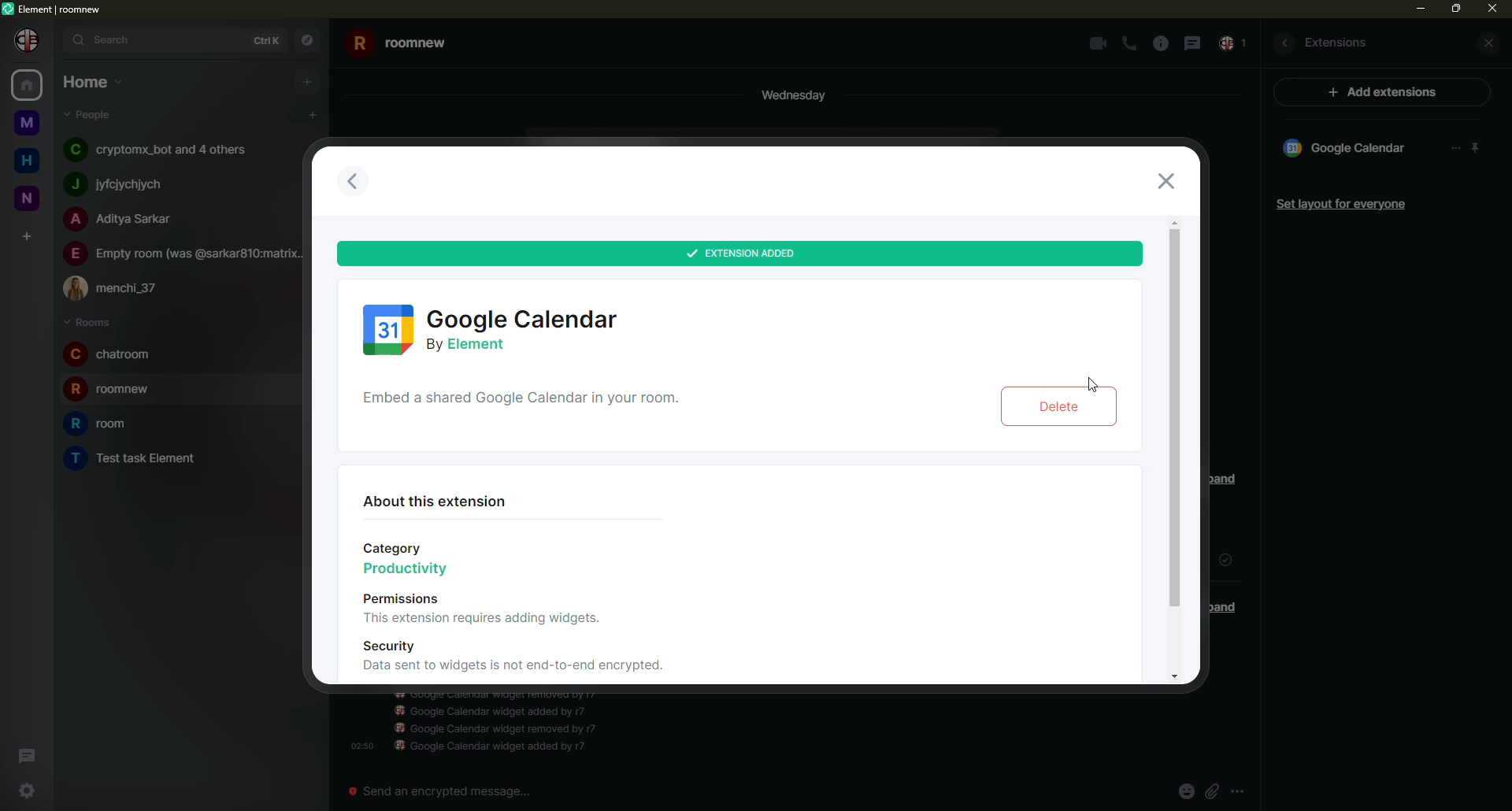 The width and height of the screenshot is (1512, 811). Describe the element at coordinates (1235, 44) in the screenshot. I see `inbox` at that location.